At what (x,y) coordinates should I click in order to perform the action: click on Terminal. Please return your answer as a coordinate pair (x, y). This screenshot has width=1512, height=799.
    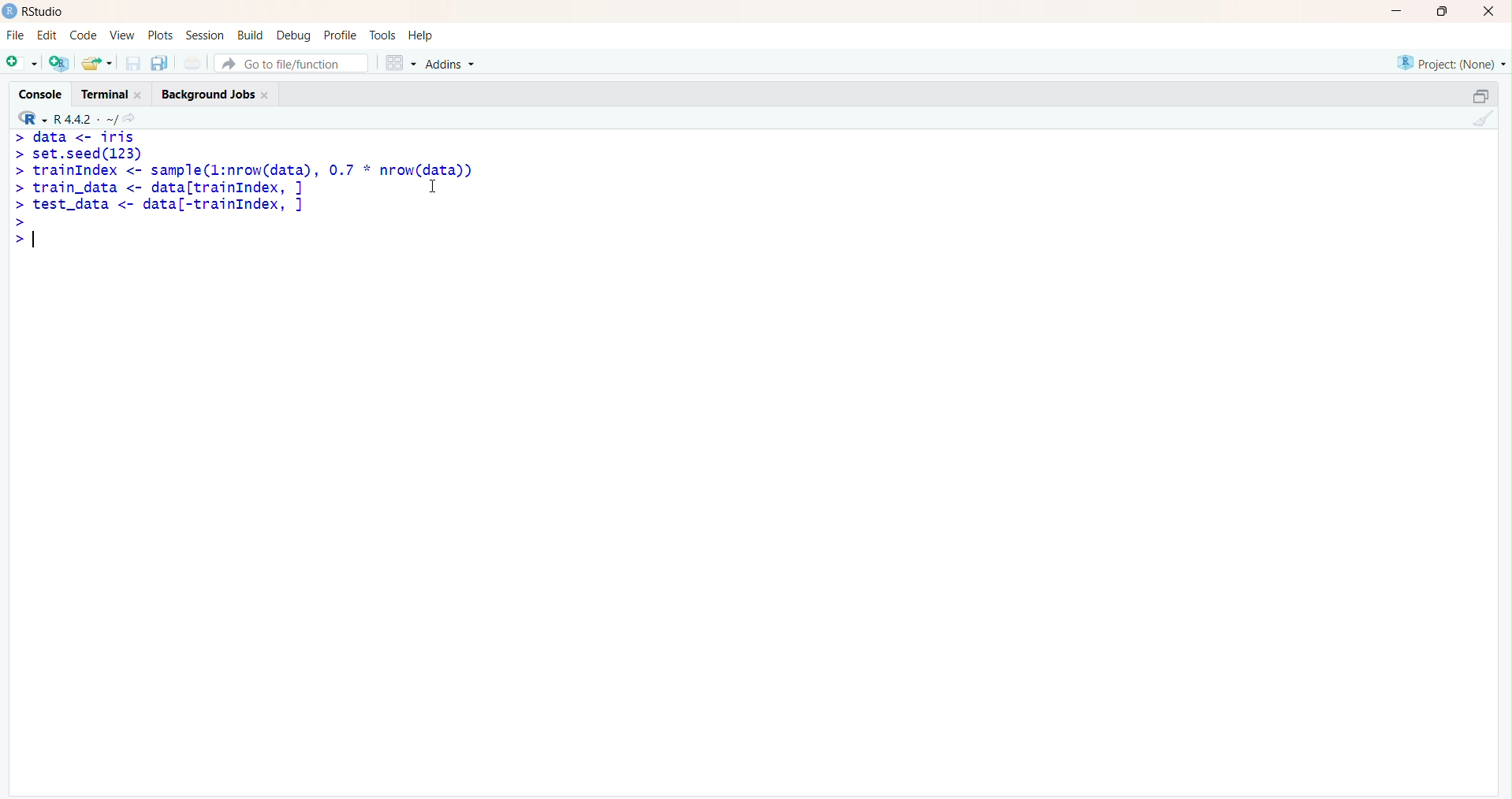
    Looking at the image, I should click on (110, 91).